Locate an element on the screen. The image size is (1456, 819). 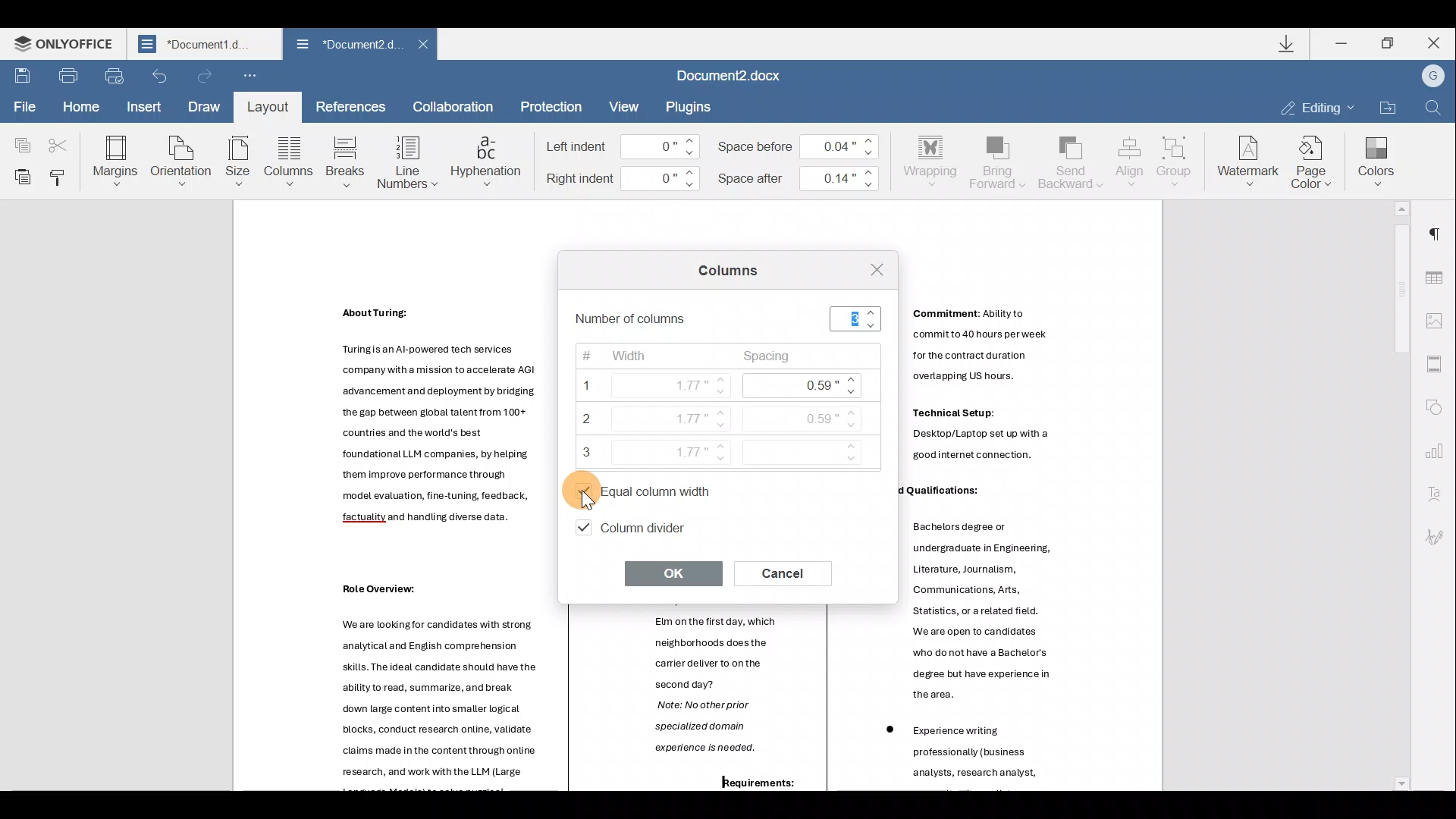
Watermark is located at coordinates (1245, 159).